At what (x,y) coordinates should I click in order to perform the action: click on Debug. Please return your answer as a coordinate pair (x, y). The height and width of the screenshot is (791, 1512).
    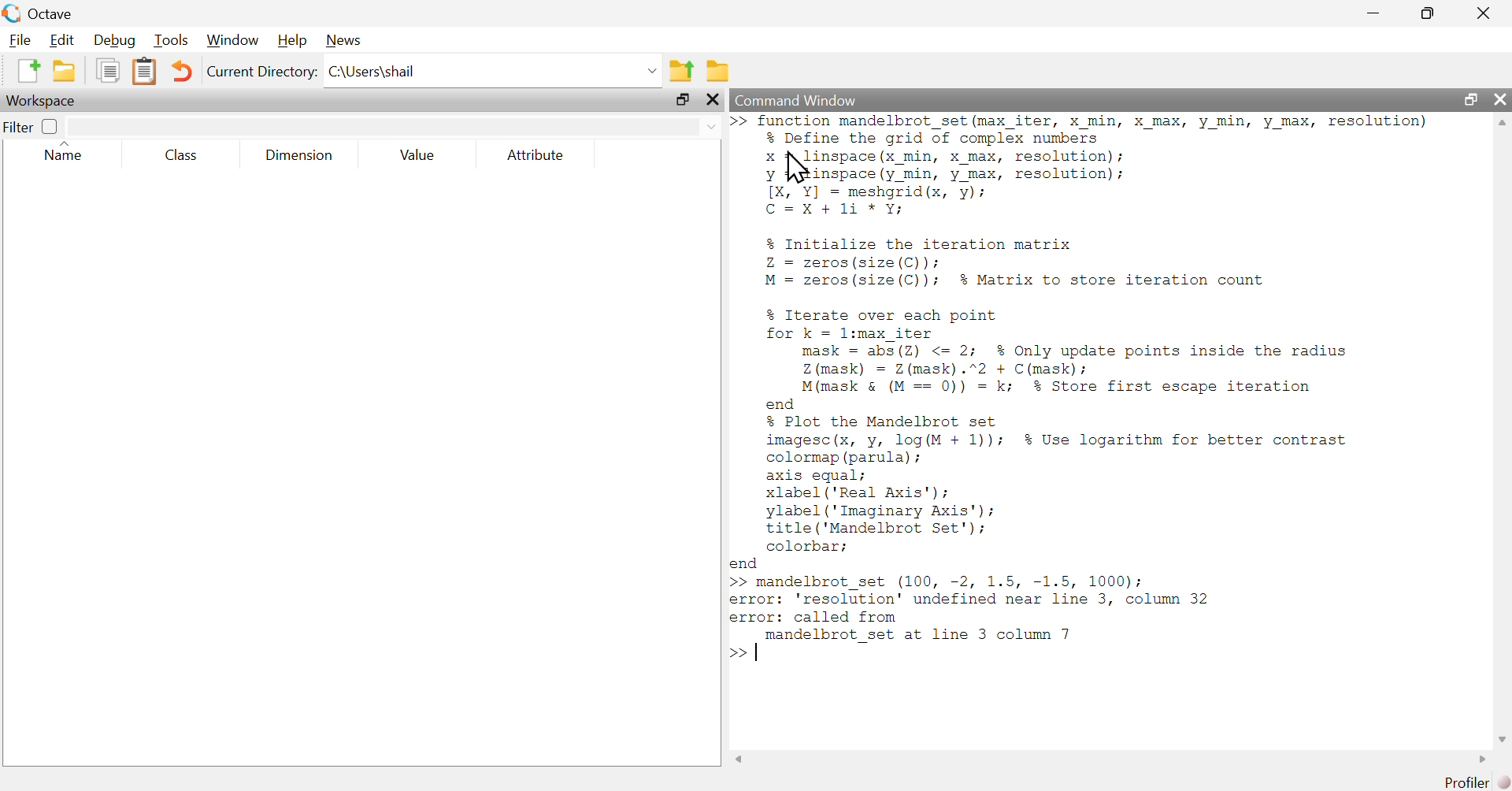
    Looking at the image, I should click on (113, 40).